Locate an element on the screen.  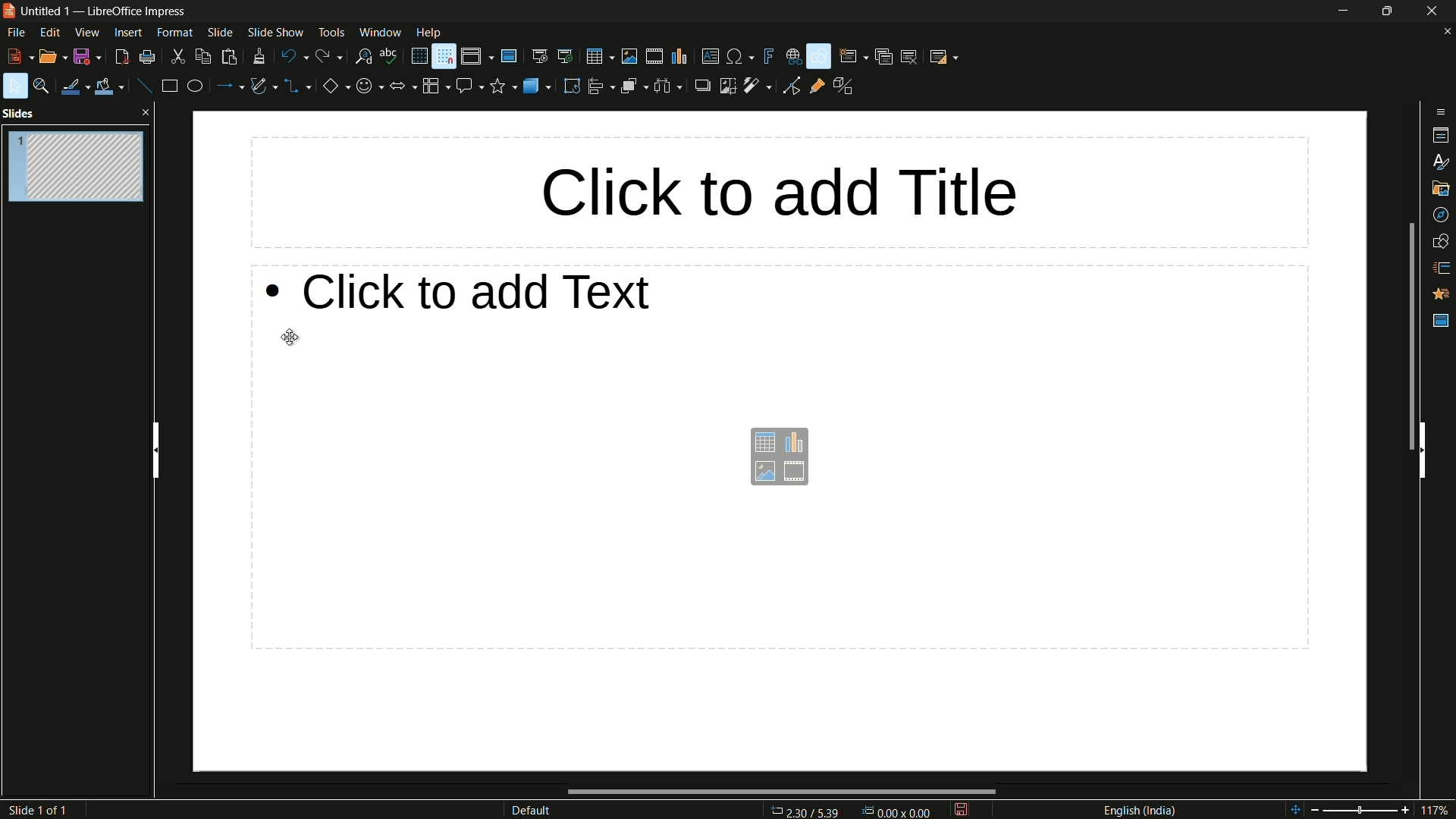
gallery is located at coordinates (1439, 187).